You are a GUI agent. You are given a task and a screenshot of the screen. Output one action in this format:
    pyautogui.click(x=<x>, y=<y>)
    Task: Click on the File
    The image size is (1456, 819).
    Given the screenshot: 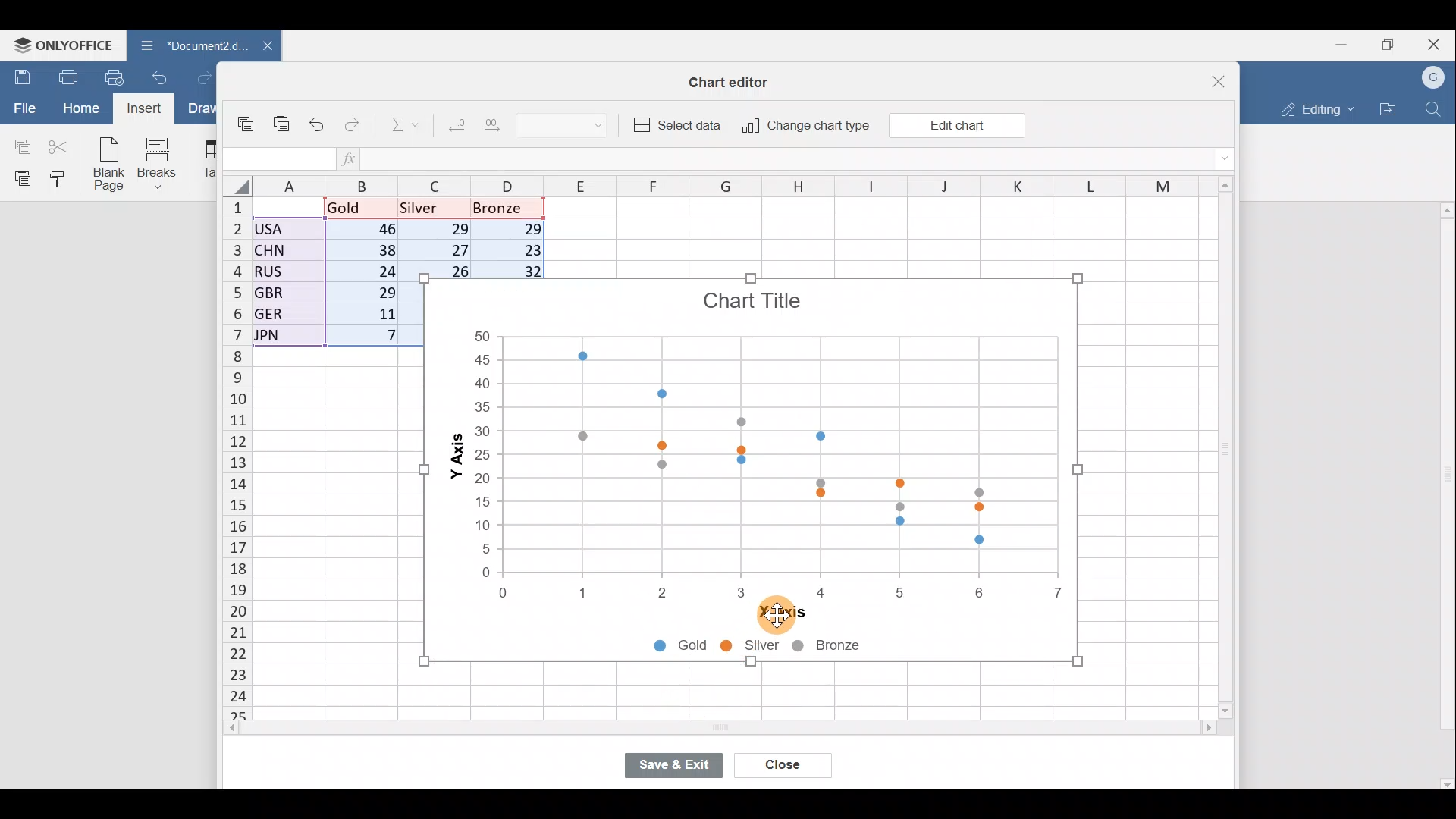 What is the action you would take?
    pyautogui.click(x=21, y=107)
    